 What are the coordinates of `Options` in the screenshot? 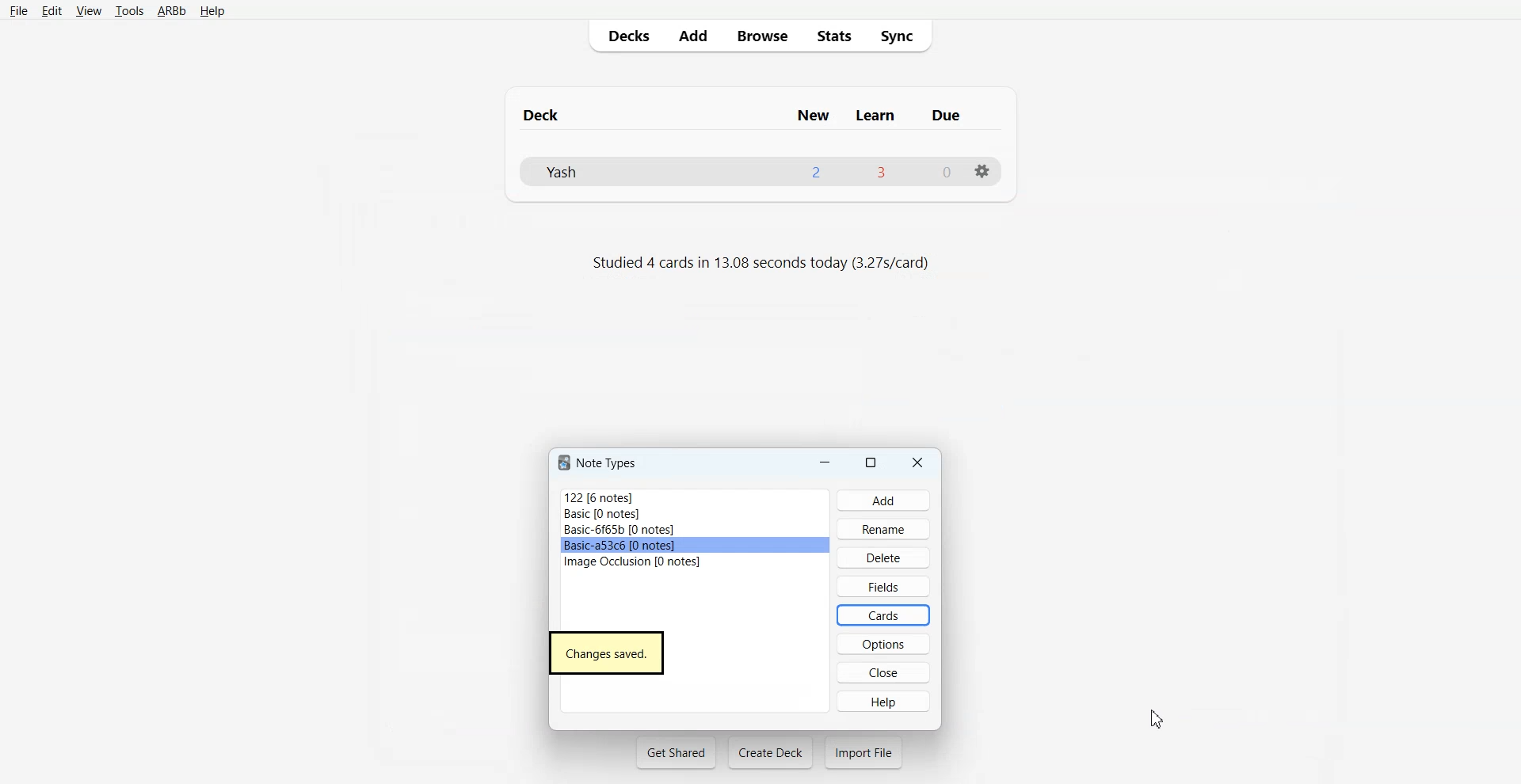 It's located at (883, 644).